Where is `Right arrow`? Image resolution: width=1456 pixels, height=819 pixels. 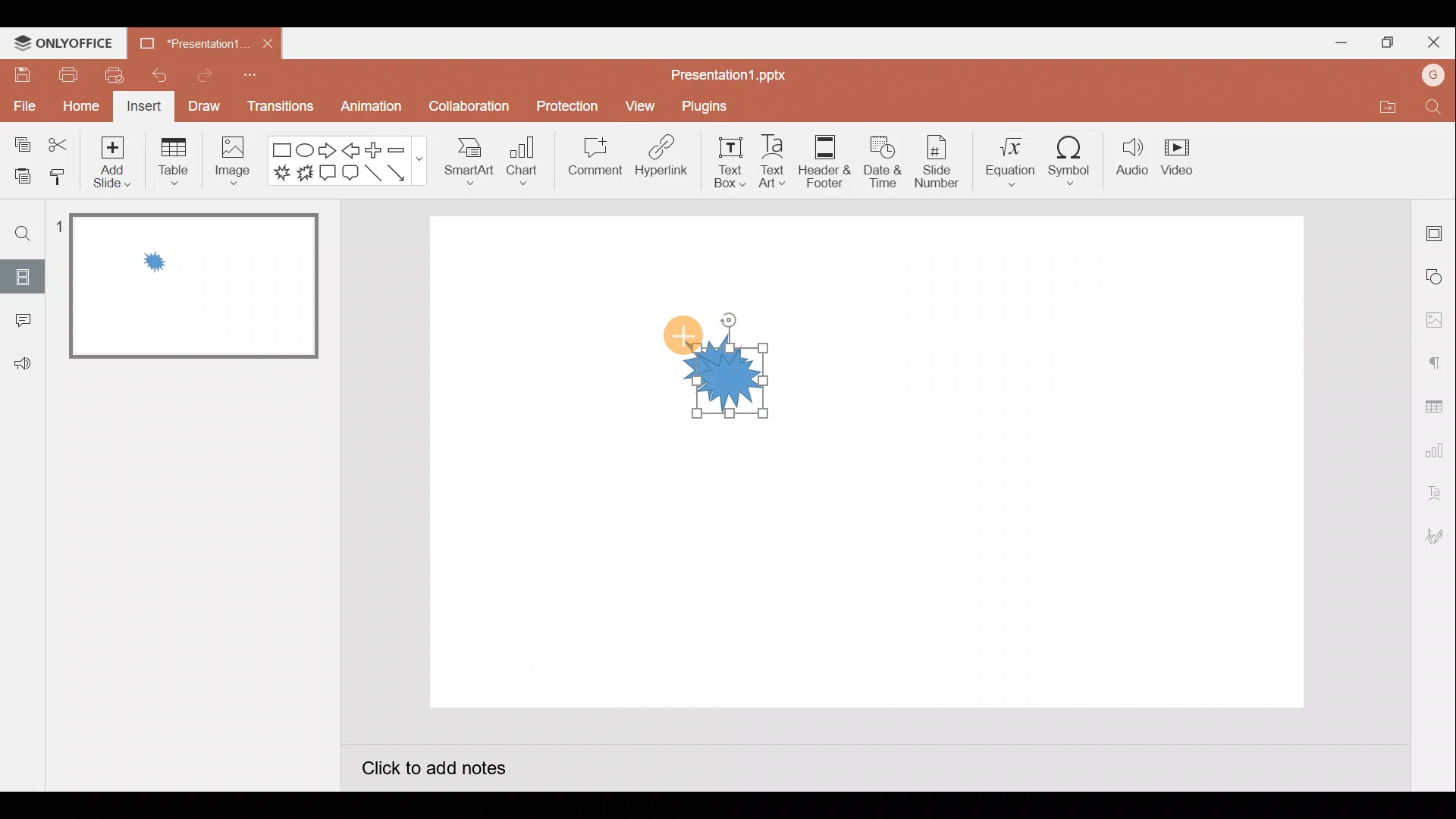
Right arrow is located at coordinates (326, 152).